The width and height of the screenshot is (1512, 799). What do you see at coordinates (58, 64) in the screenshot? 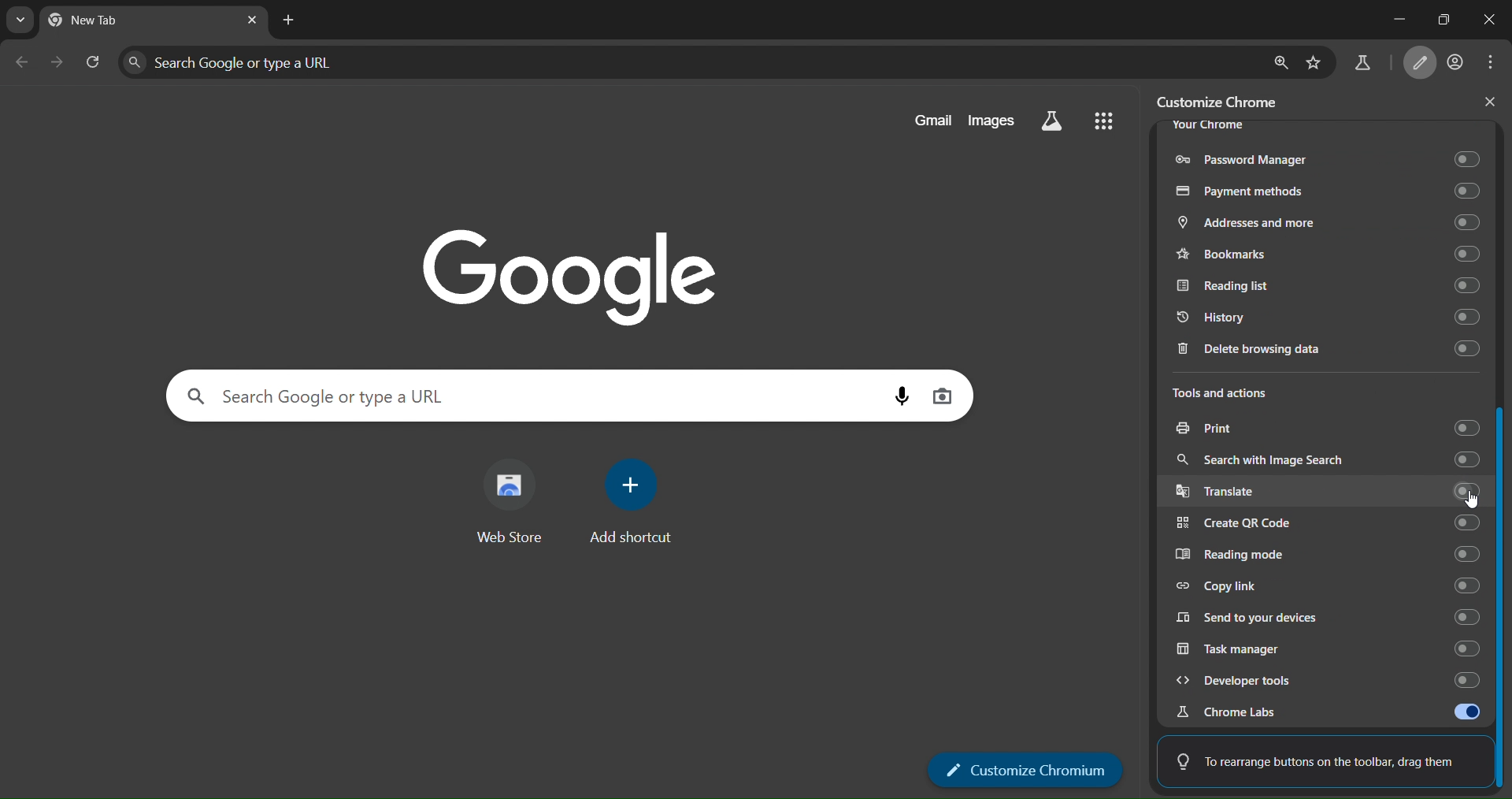
I see `go forward one page` at bounding box center [58, 64].